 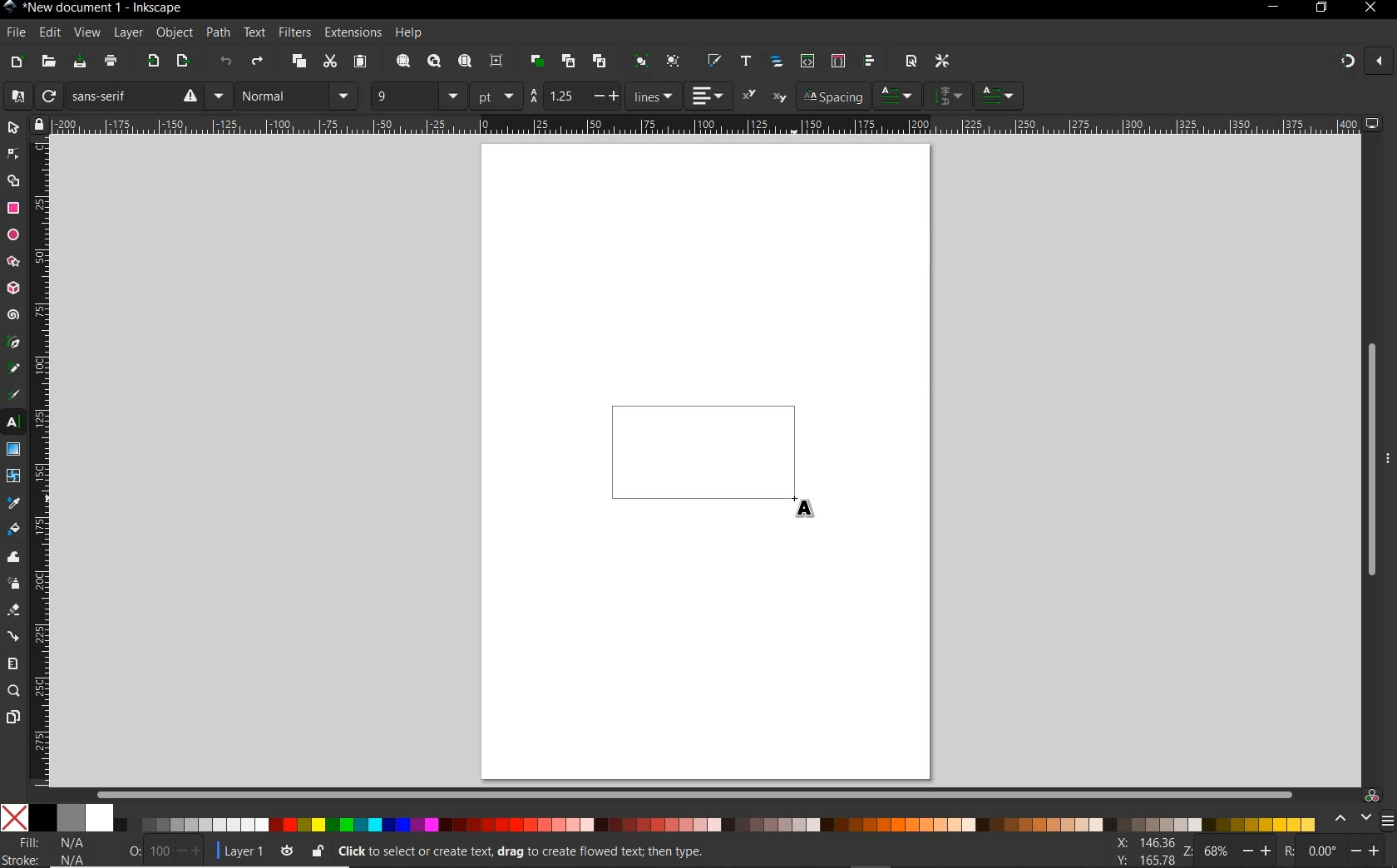 What do you see at coordinates (705, 124) in the screenshot?
I see `ruler` at bounding box center [705, 124].